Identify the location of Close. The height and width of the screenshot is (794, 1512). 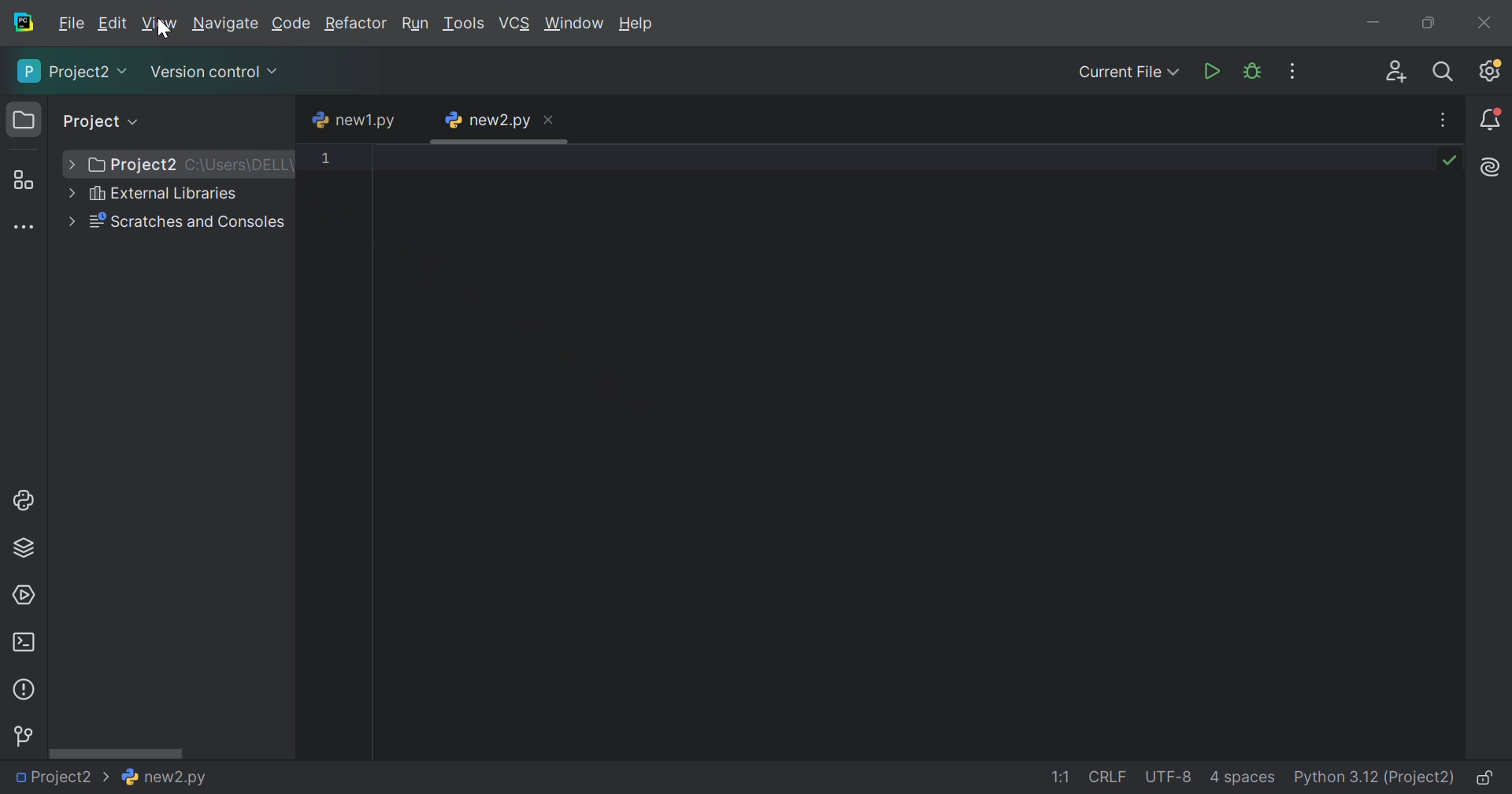
(1484, 21).